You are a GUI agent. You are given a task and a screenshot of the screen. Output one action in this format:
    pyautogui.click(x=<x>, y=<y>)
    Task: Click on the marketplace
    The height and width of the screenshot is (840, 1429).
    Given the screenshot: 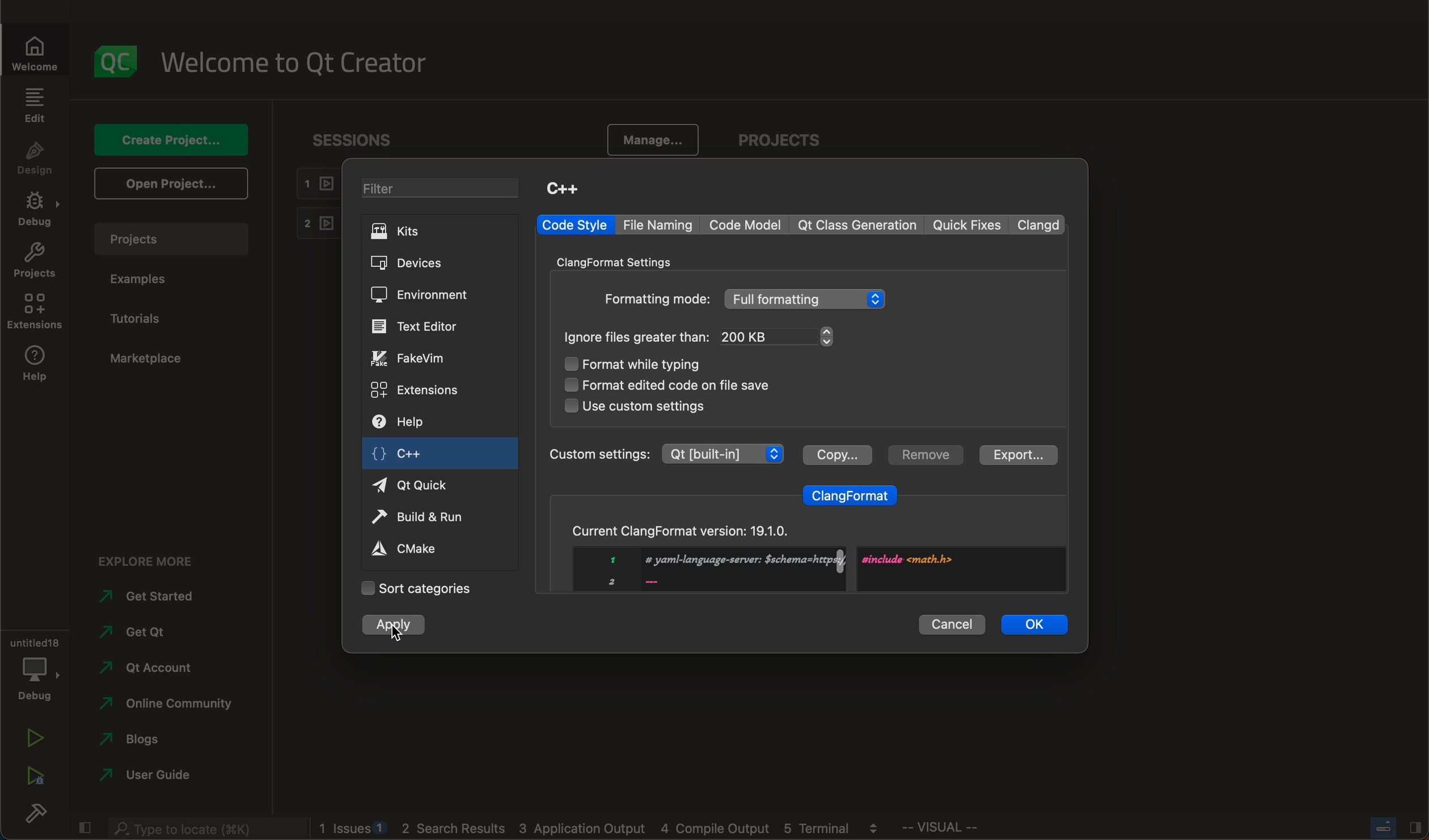 What is the action you would take?
    pyautogui.click(x=146, y=359)
    